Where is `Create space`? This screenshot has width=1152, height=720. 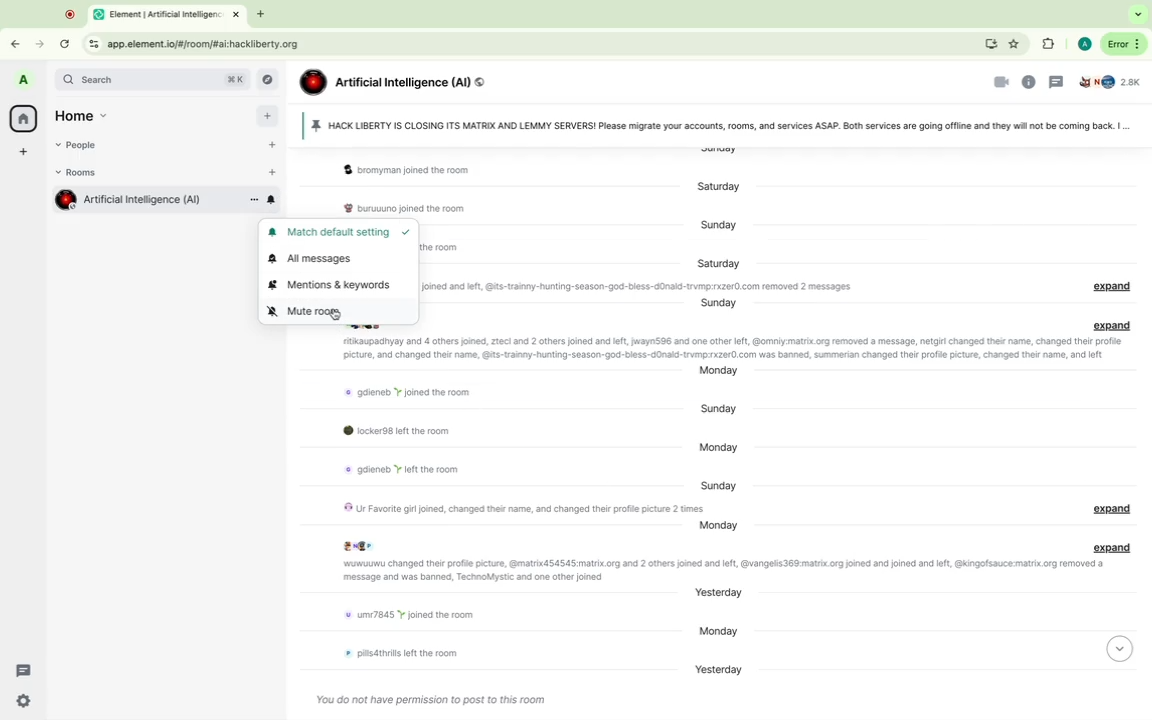 Create space is located at coordinates (24, 153).